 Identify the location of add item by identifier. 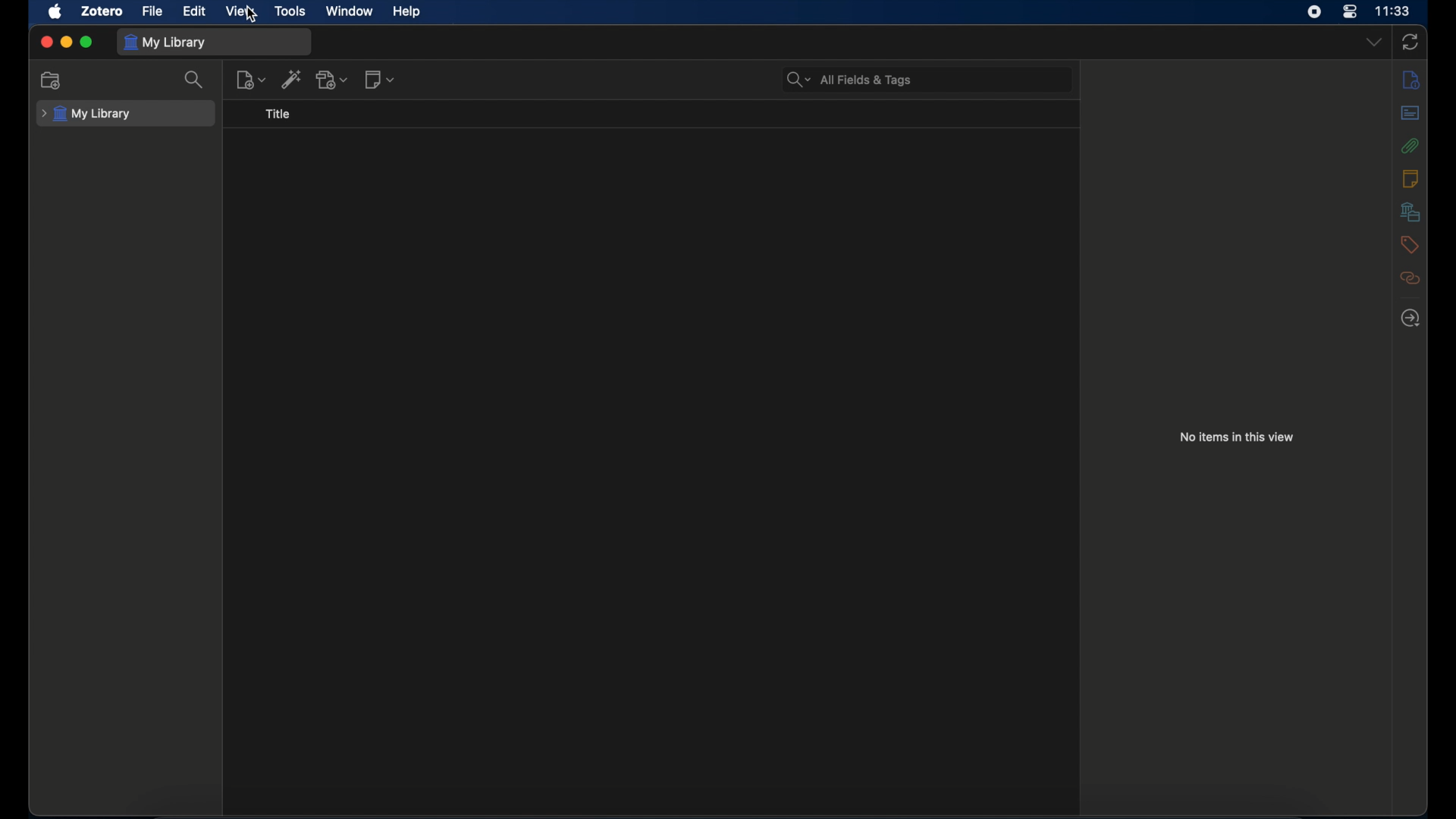
(293, 79).